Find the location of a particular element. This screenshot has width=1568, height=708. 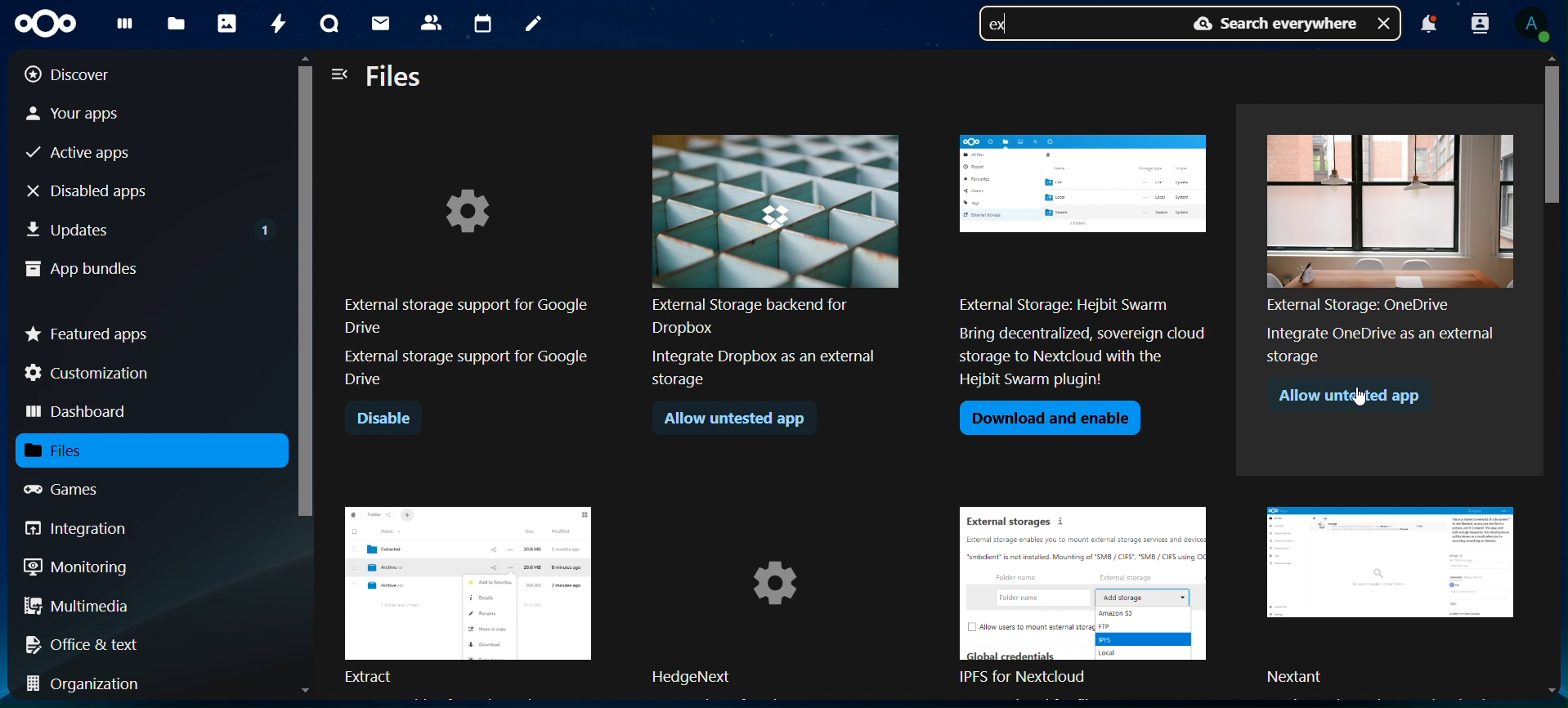

hedgenext is located at coordinates (778, 598).